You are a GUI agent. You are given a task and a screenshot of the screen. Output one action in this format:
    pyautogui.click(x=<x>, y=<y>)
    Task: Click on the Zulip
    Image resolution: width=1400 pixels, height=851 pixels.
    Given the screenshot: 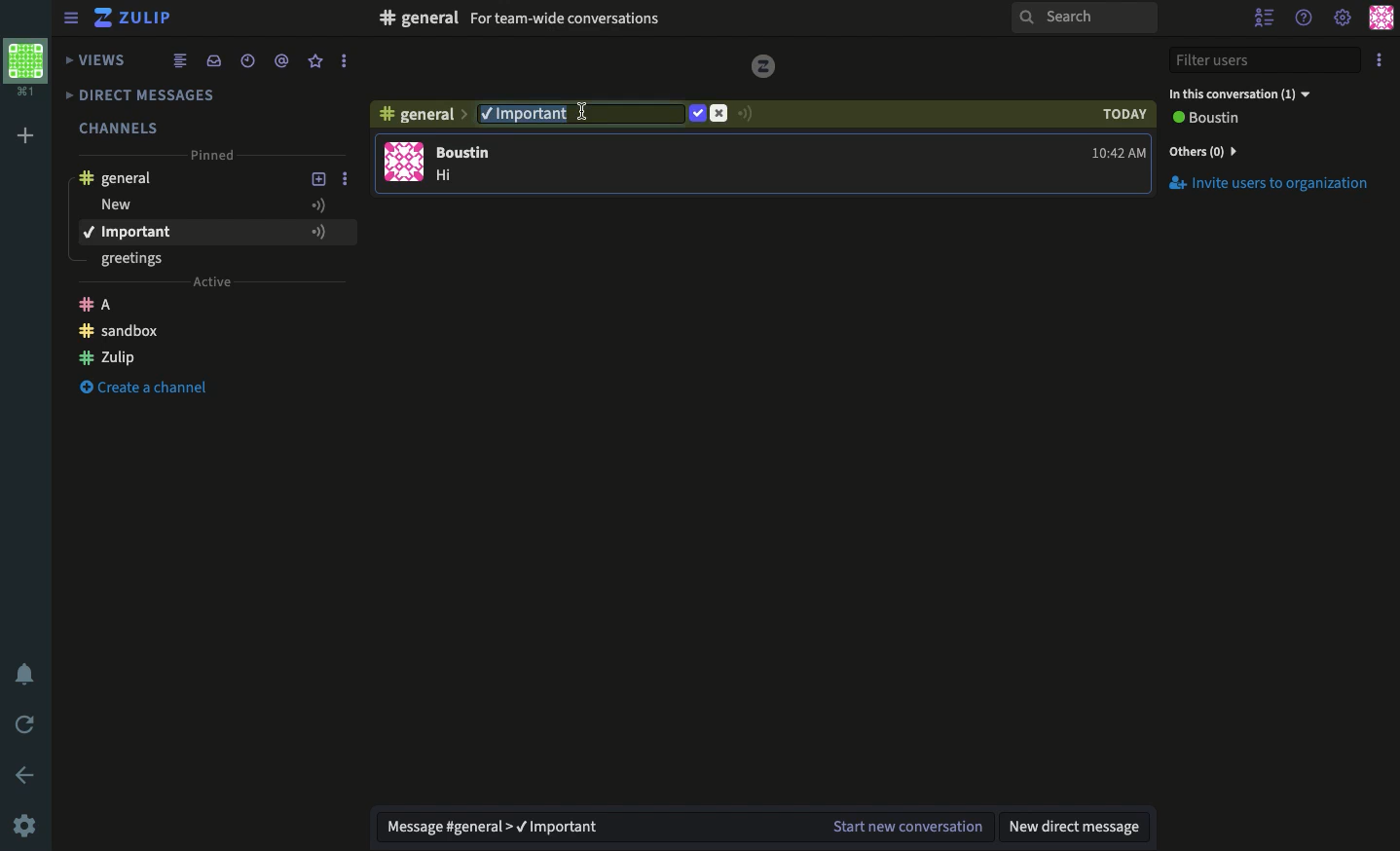 What is the action you would take?
    pyautogui.click(x=177, y=360)
    